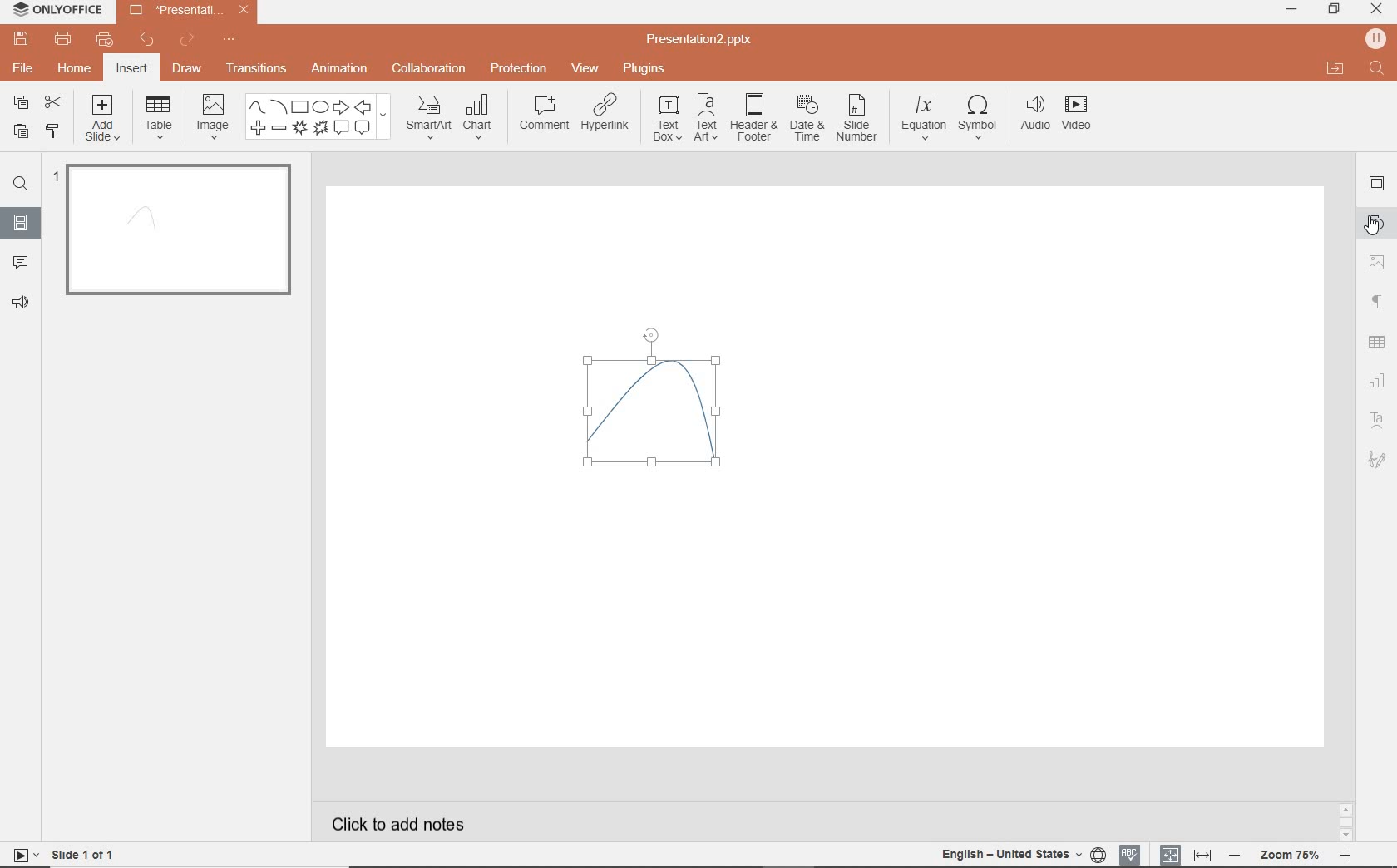 Image resolution: width=1397 pixels, height=868 pixels. I want to click on TRANSITIONS, so click(259, 70).